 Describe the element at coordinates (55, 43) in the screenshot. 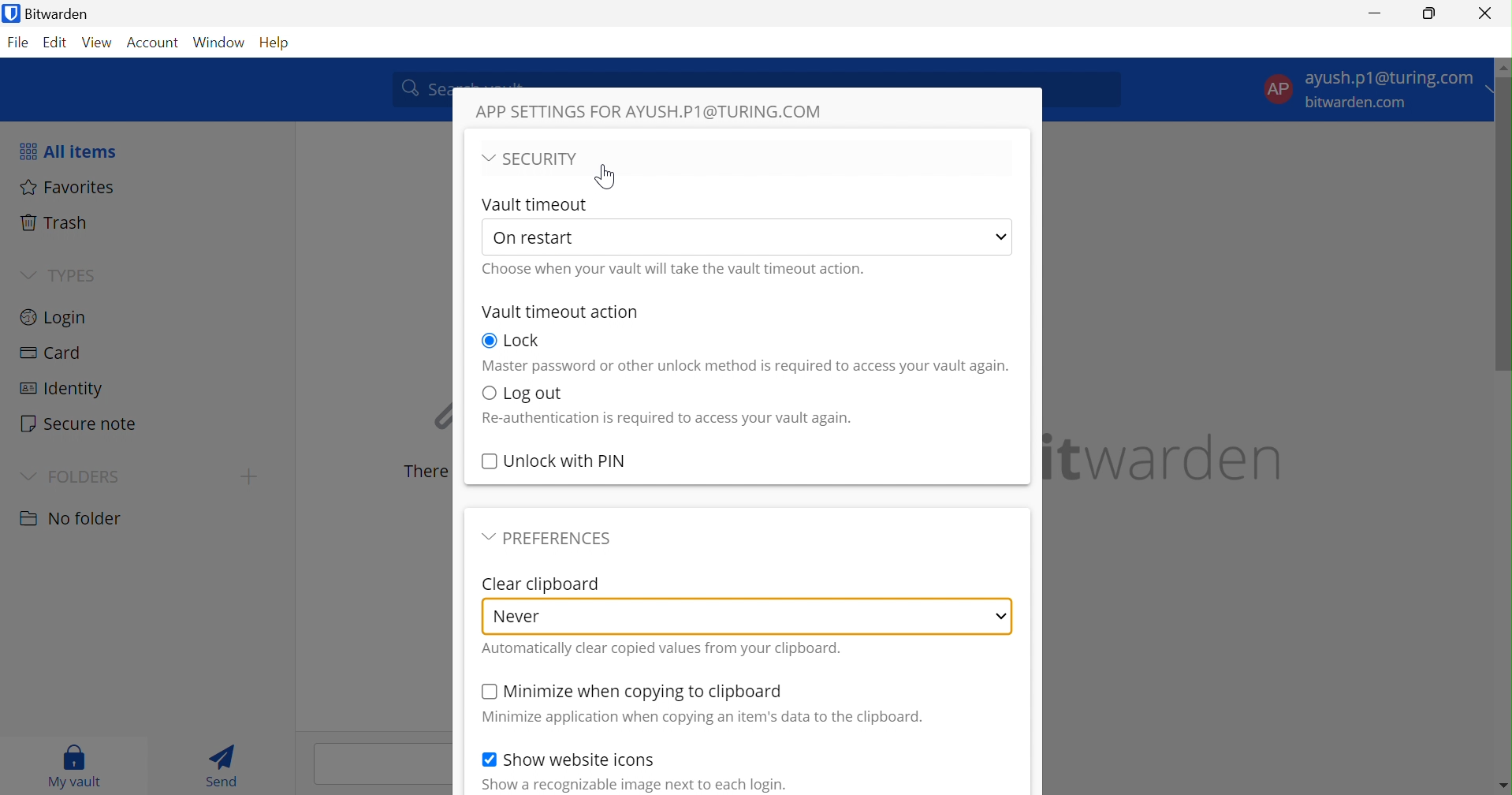

I see `Edit` at that location.